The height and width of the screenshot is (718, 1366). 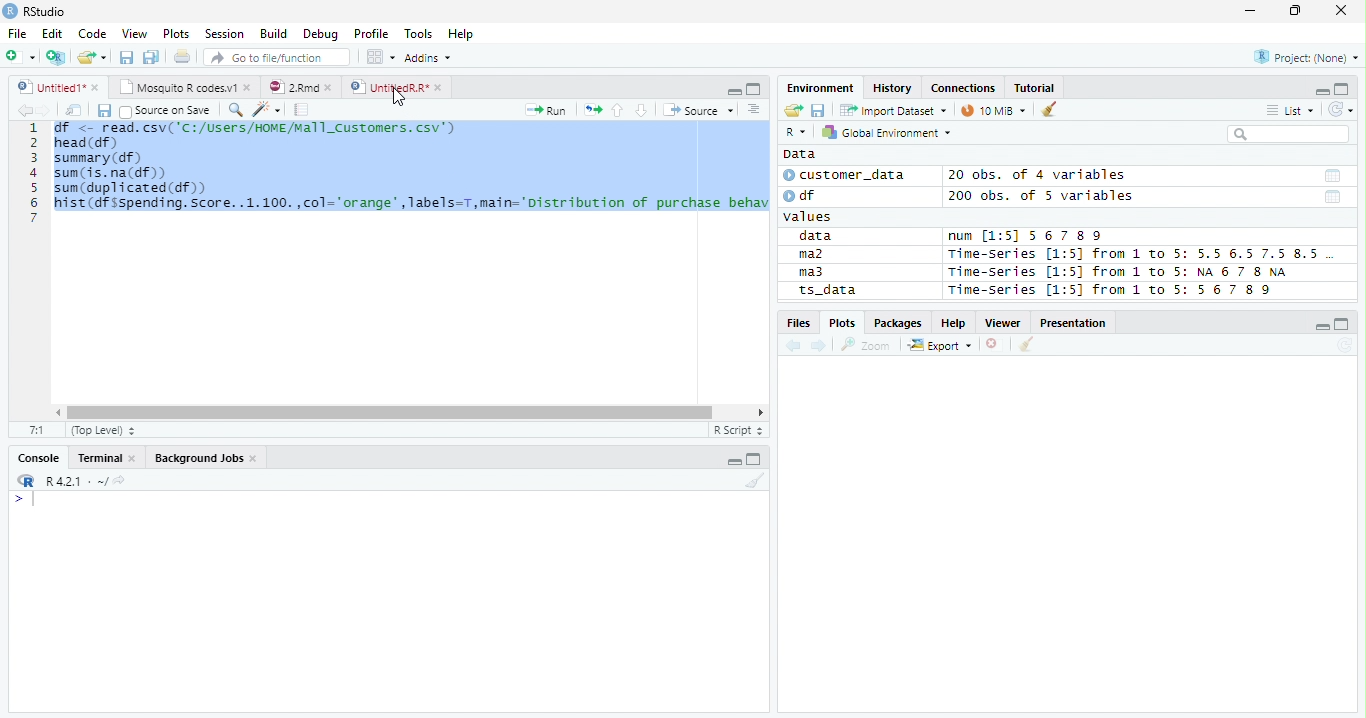 I want to click on Code Tools, so click(x=266, y=110).